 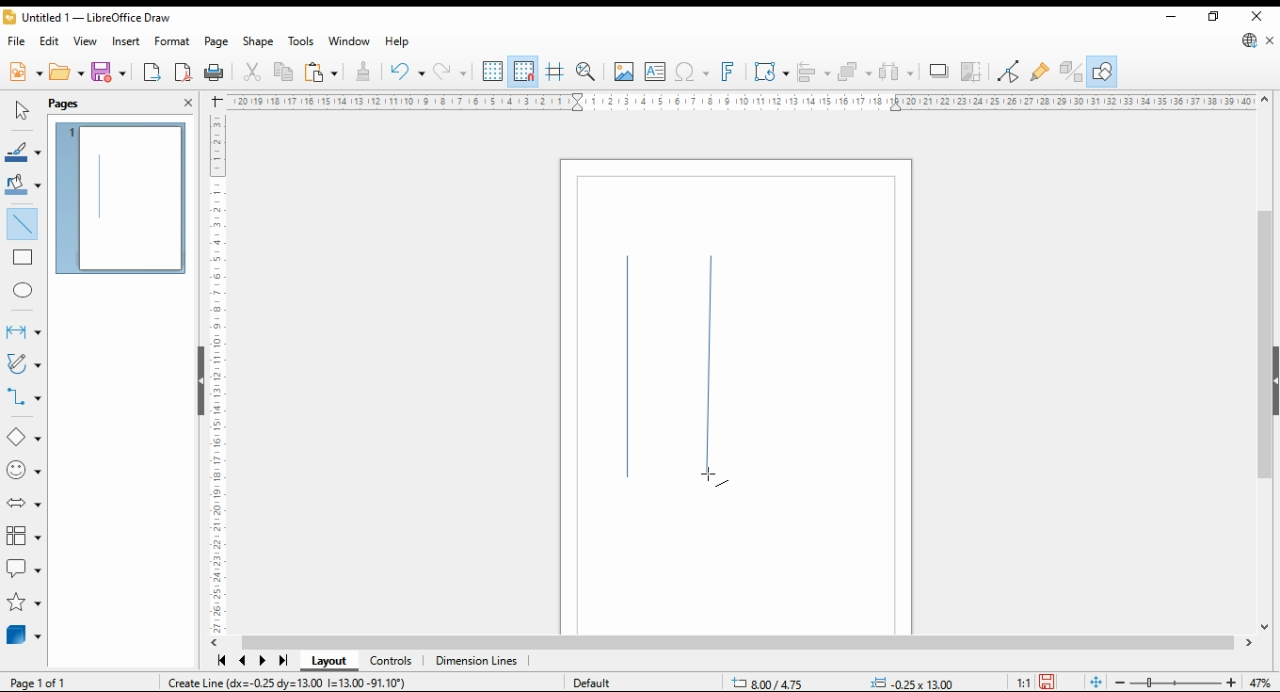 What do you see at coordinates (452, 72) in the screenshot?
I see `undo` at bounding box center [452, 72].